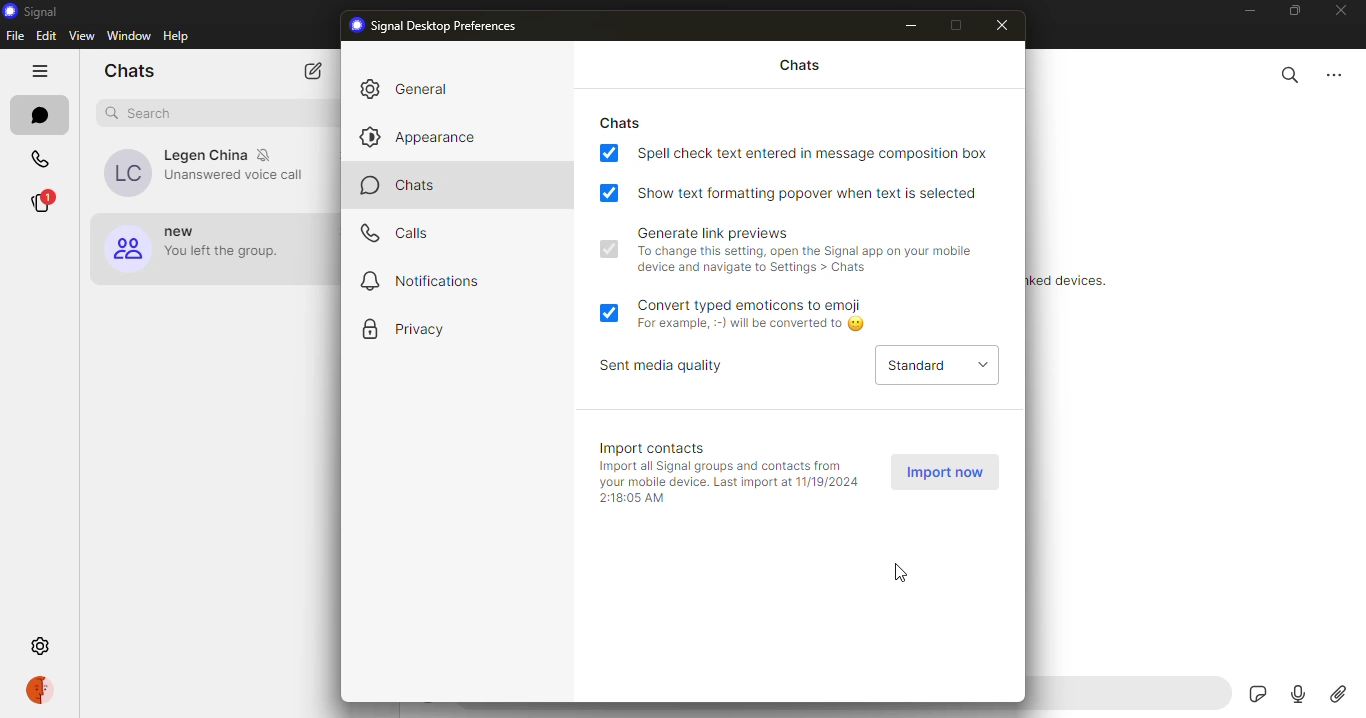 The height and width of the screenshot is (718, 1366). Describe the element at coordinates (1249, 12) in the screenshot. I see `minimize` at that location.